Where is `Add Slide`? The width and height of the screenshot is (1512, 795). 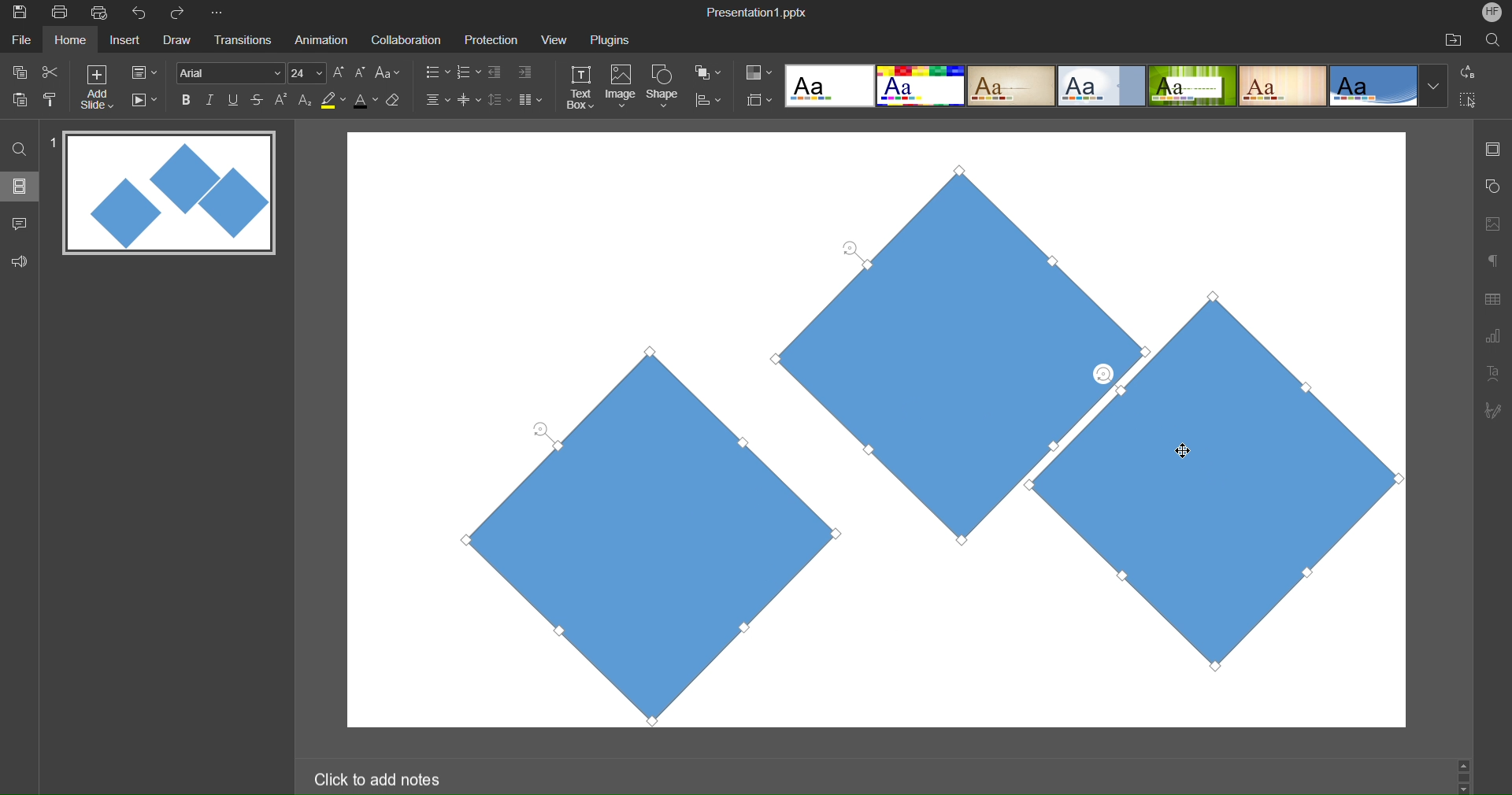 Add Slide is located at coordinates (97, 87).